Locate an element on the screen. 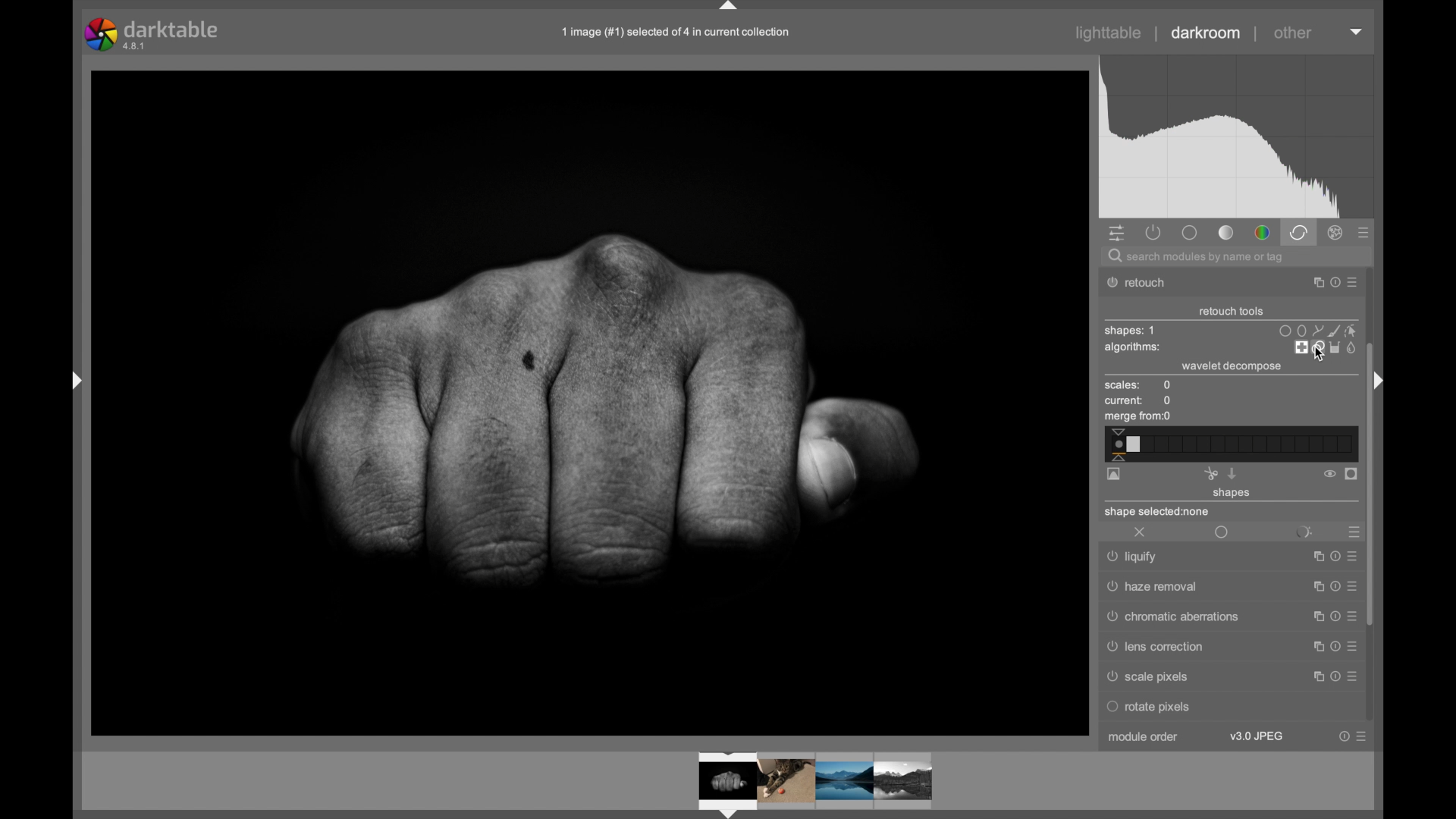  effect is located at coordinates (1336, 233).